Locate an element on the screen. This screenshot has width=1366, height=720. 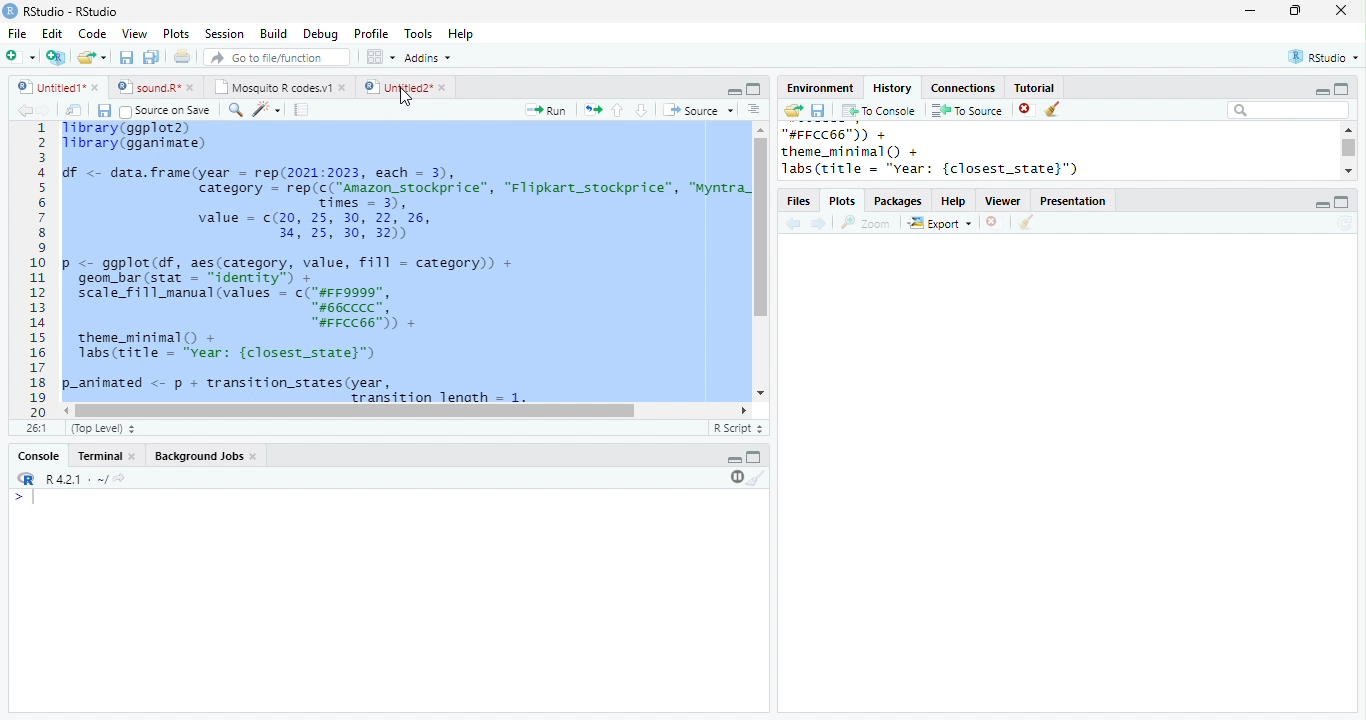
open folder is located at coordinates (794, 110).